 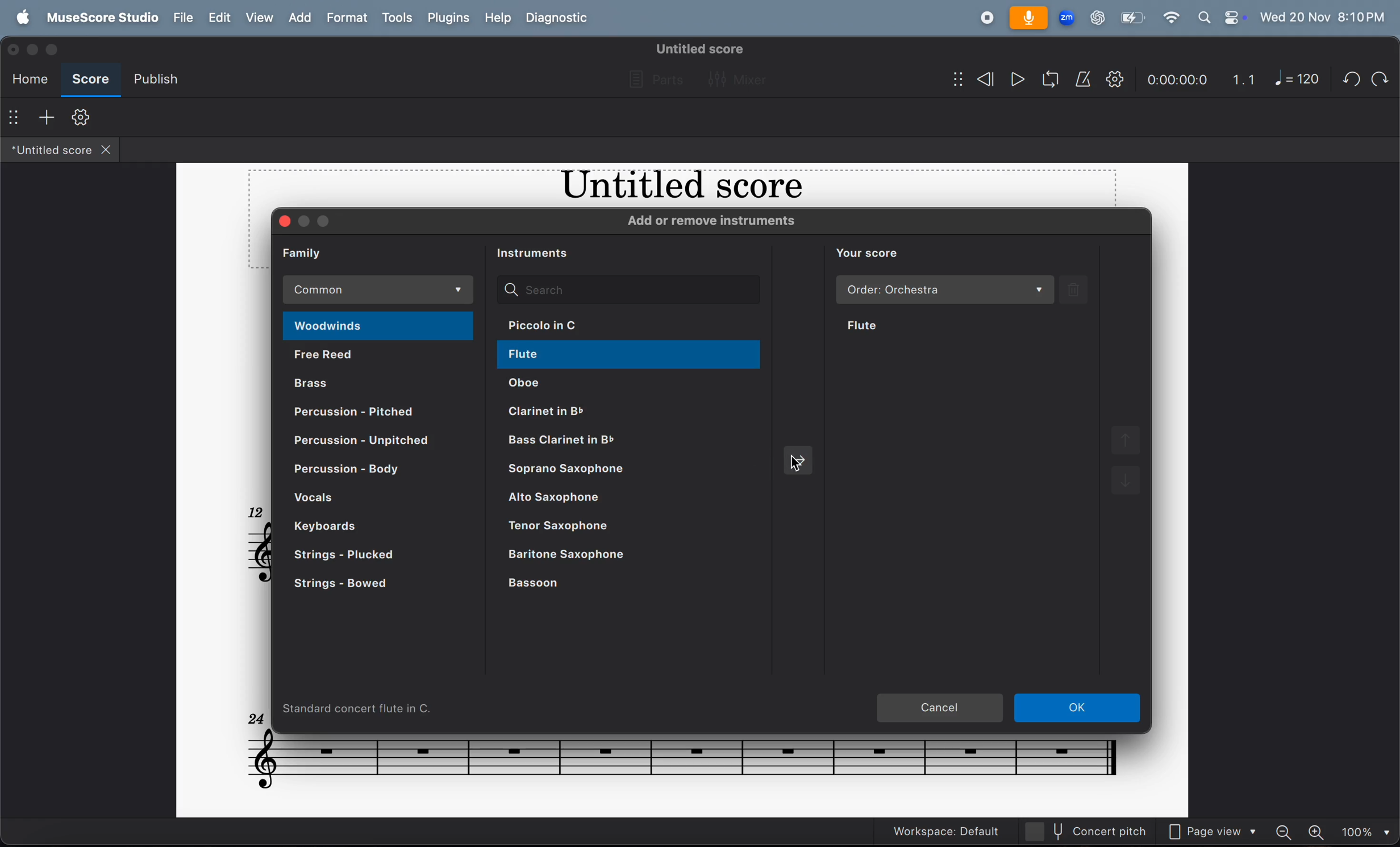 What do you see at coordinates (950, 77) in the screenshot?
I see `show/hide` at bounding box center [950, 77].